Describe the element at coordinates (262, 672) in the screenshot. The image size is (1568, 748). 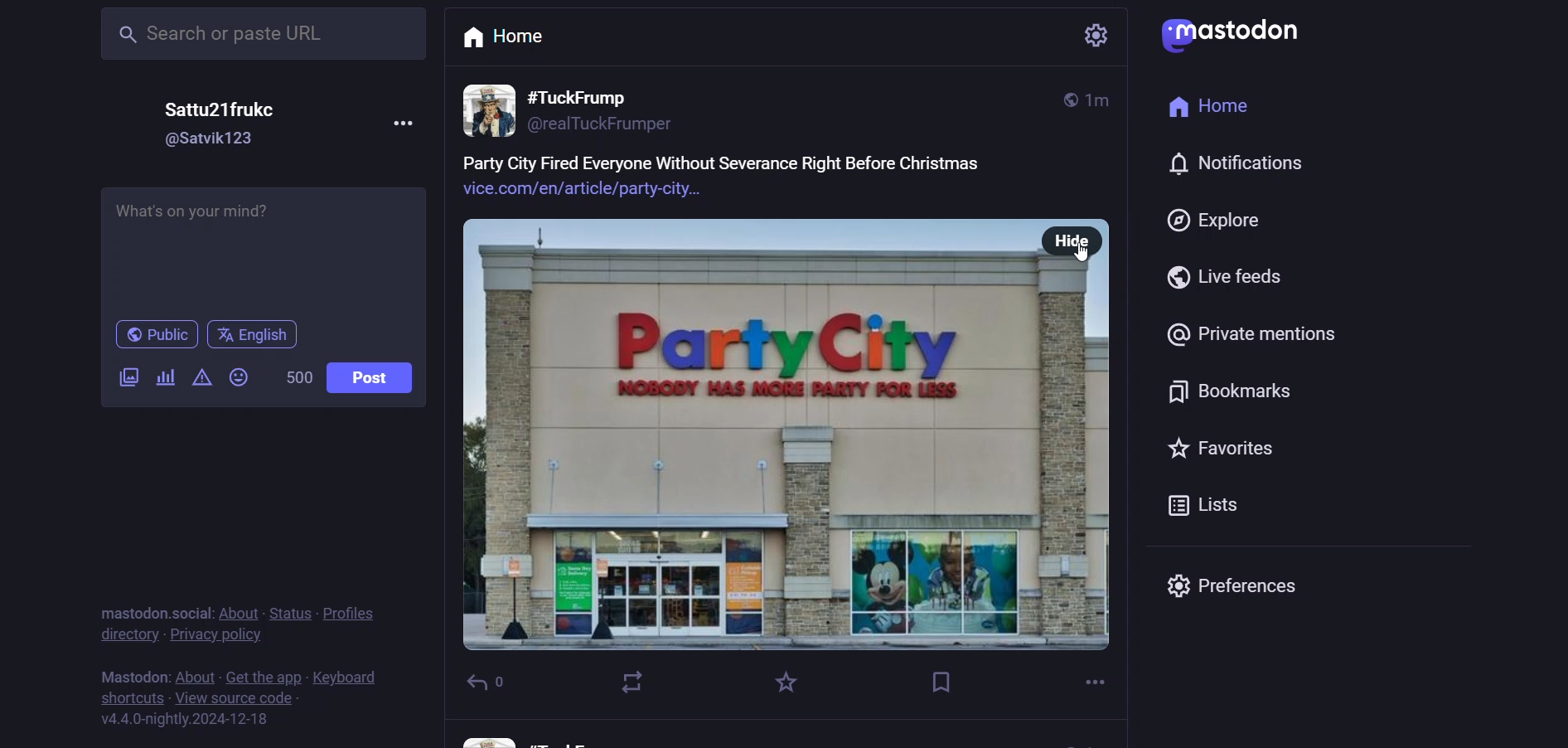
I see `get the app` at that location.